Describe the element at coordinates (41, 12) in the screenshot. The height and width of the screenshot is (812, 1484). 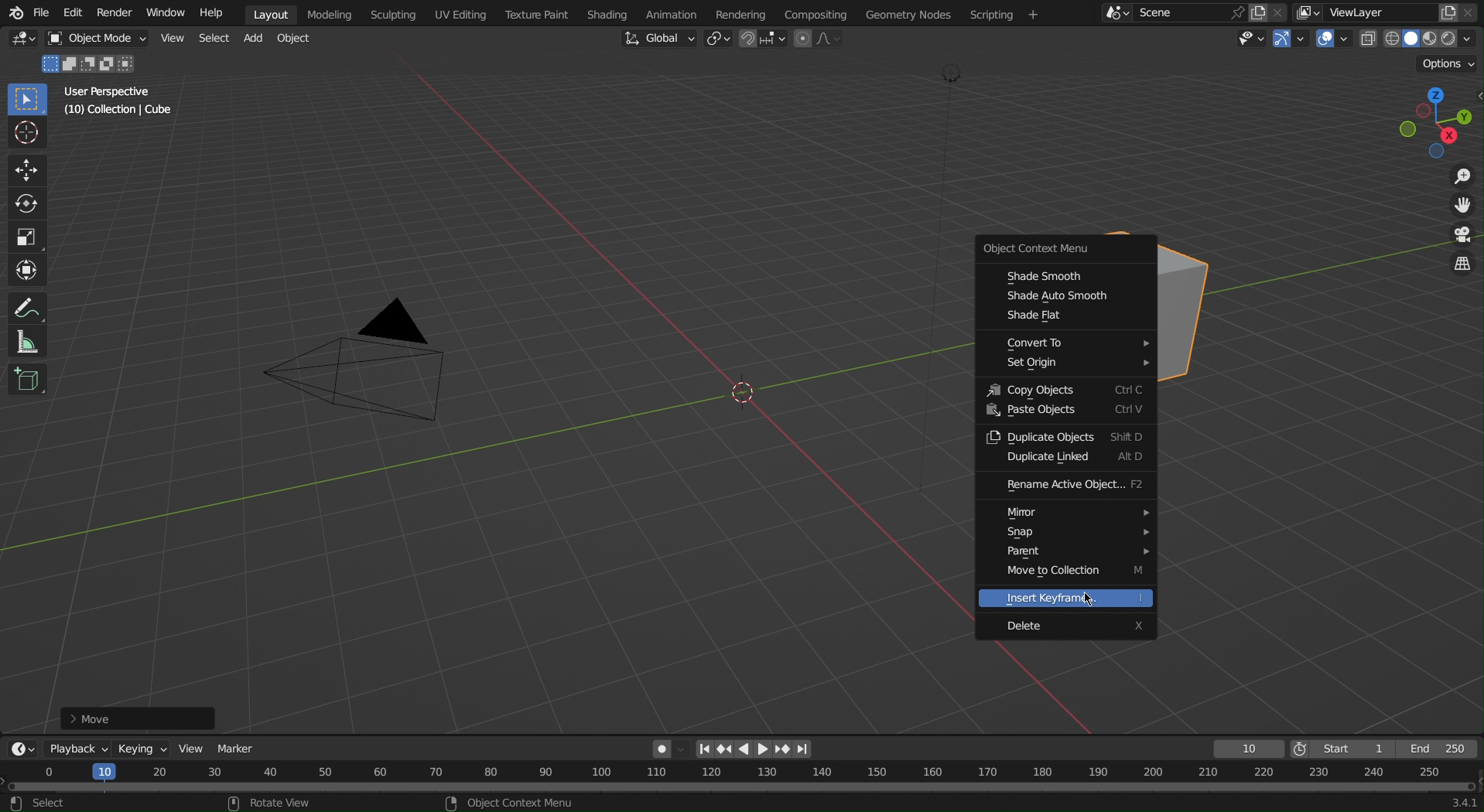
I see `File` at that location.